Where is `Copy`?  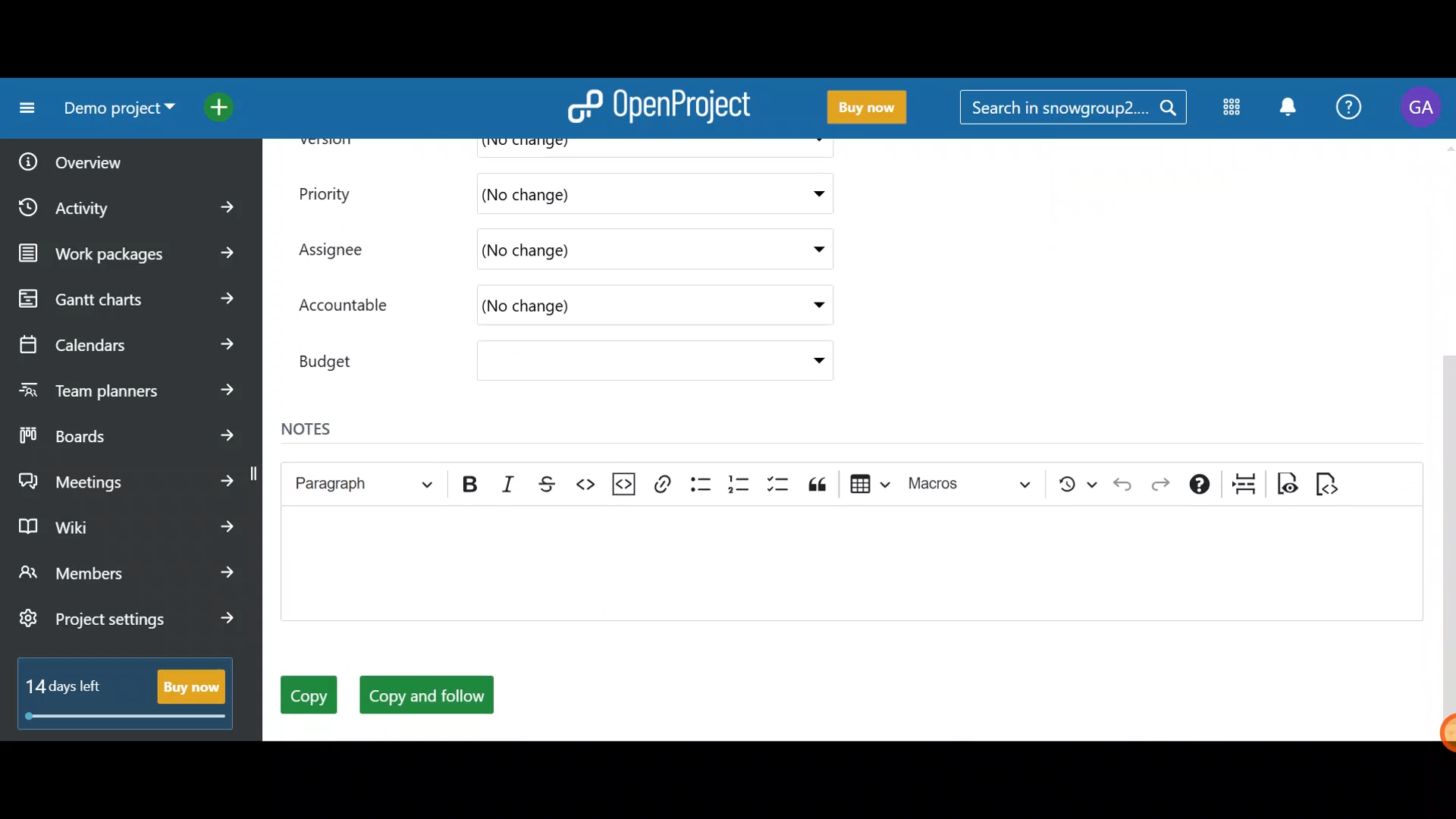
Copy is located at coordinates (311, 692).